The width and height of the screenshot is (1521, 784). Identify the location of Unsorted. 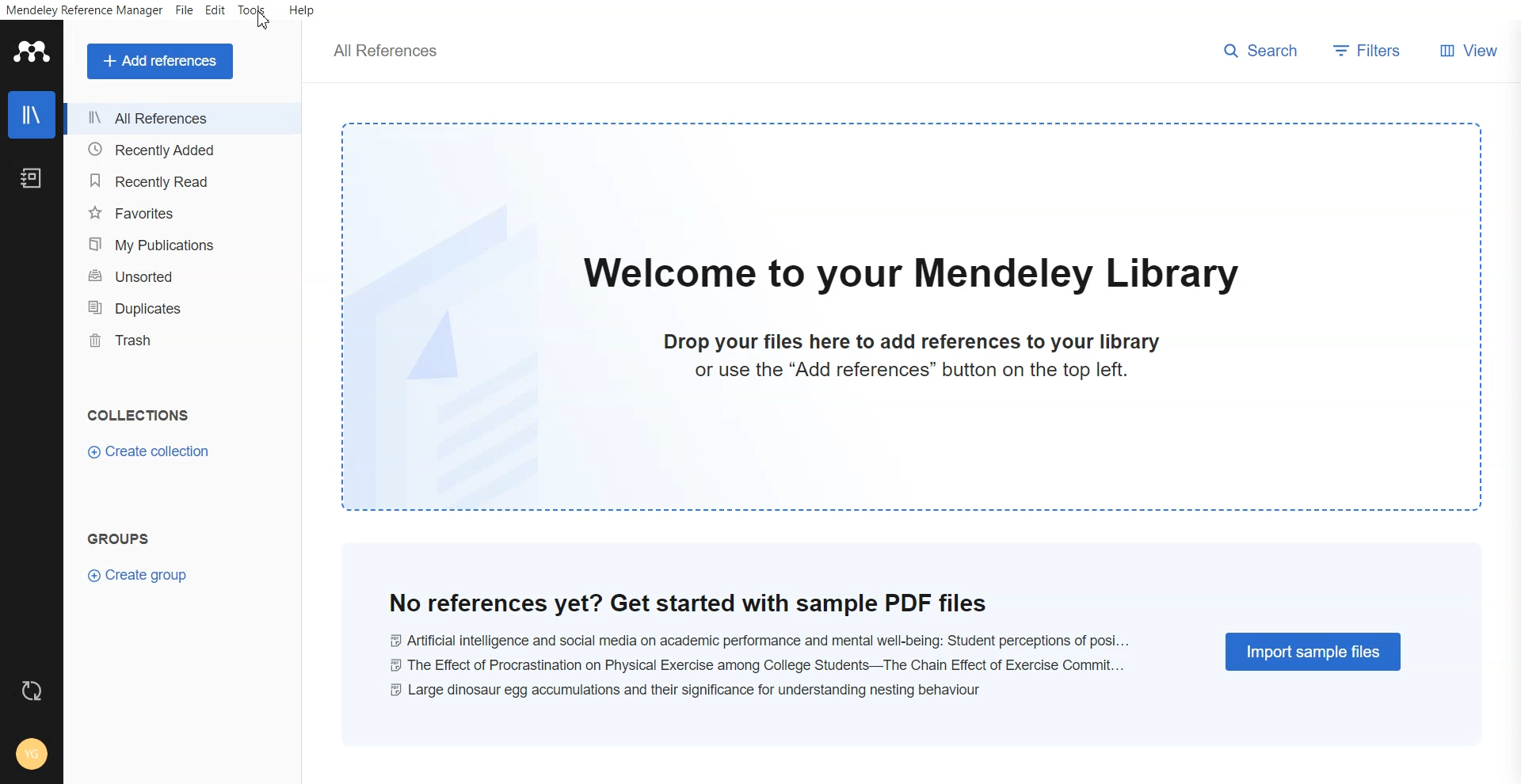
(185, 275).